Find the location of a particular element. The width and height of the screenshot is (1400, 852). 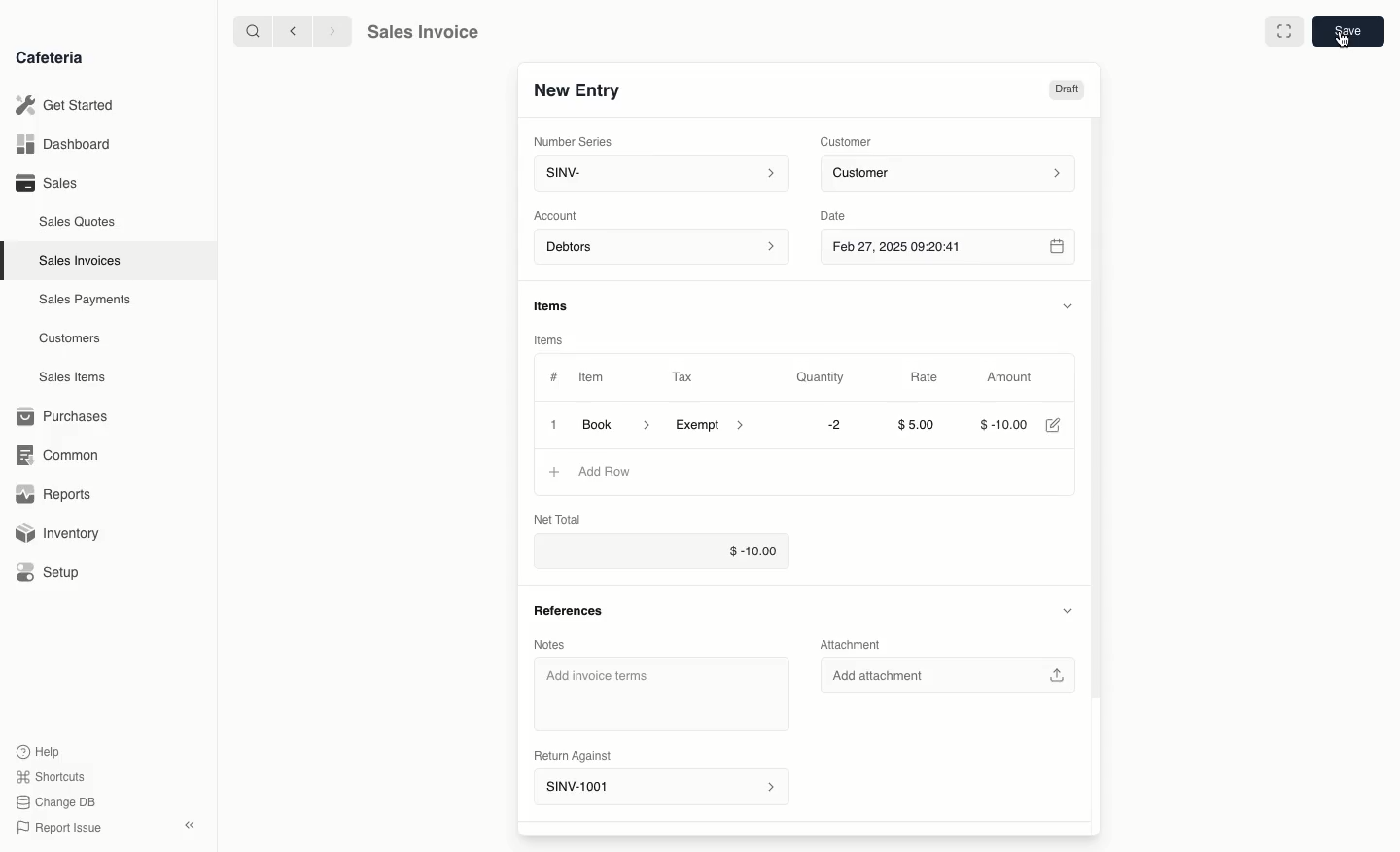

Exempt > is located at coordinates (715, 426).